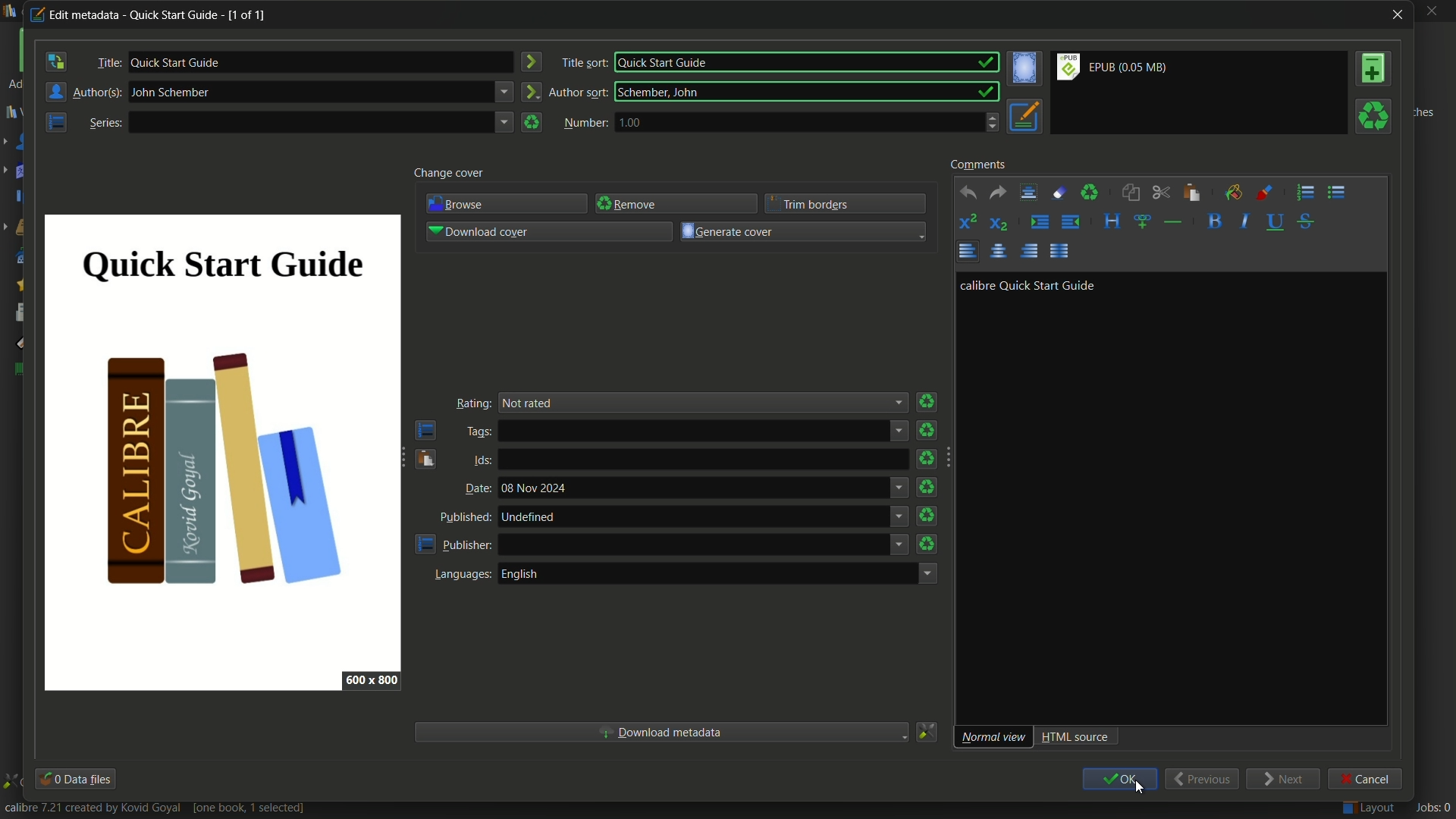  What do you see at coordinates (467, 546) in the screenshot?
I see `publisher` at bounding box center [467, 546].